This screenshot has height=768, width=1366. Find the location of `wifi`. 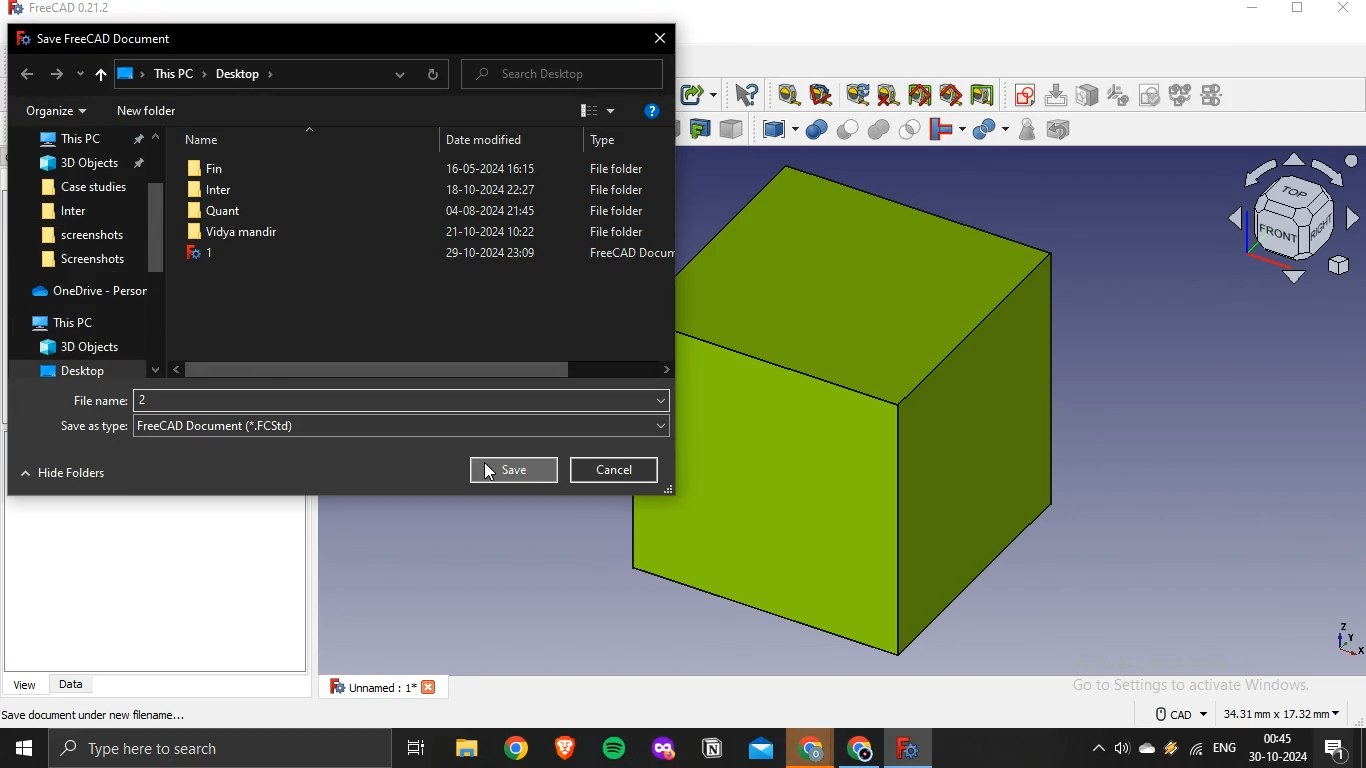

wifi is located at coordinates (1197, 749).